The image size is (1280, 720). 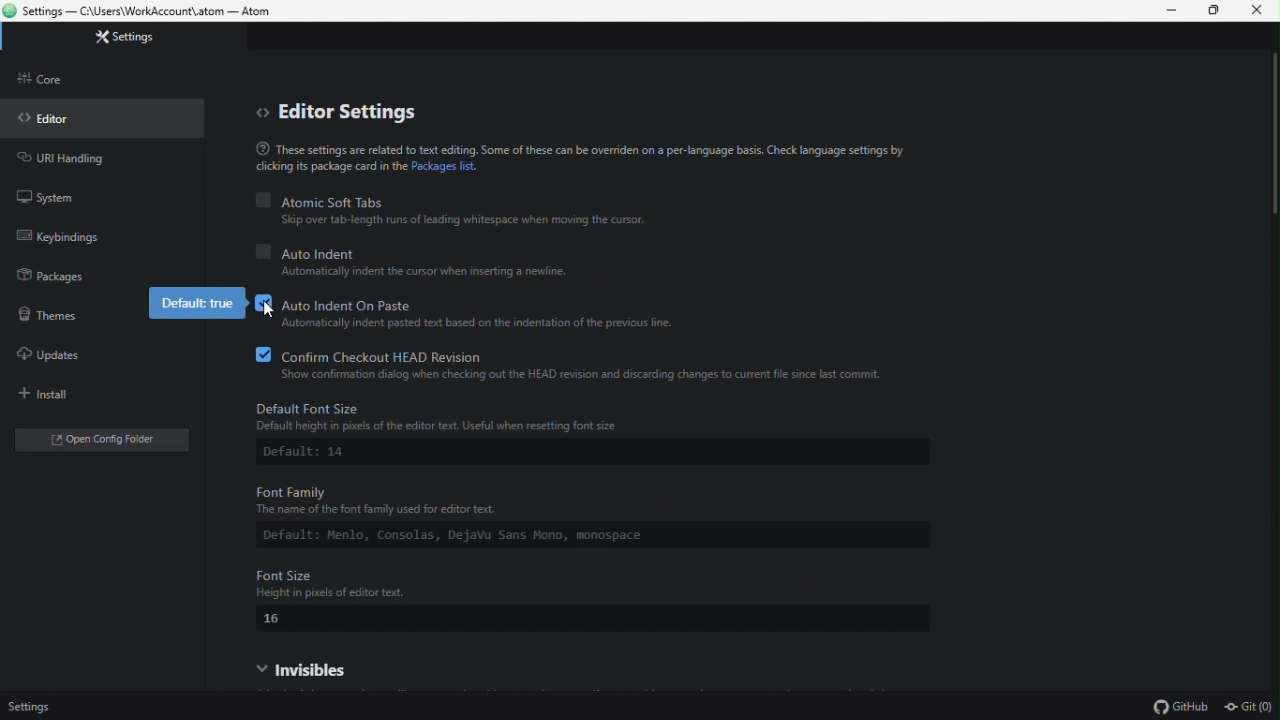 What do you see at coordinates (512, 535) in the screenshot?
I see `Default: Menlo, Comsolas, Dejsvu Sans Mono, monospace` at bounding box center [512, 535].